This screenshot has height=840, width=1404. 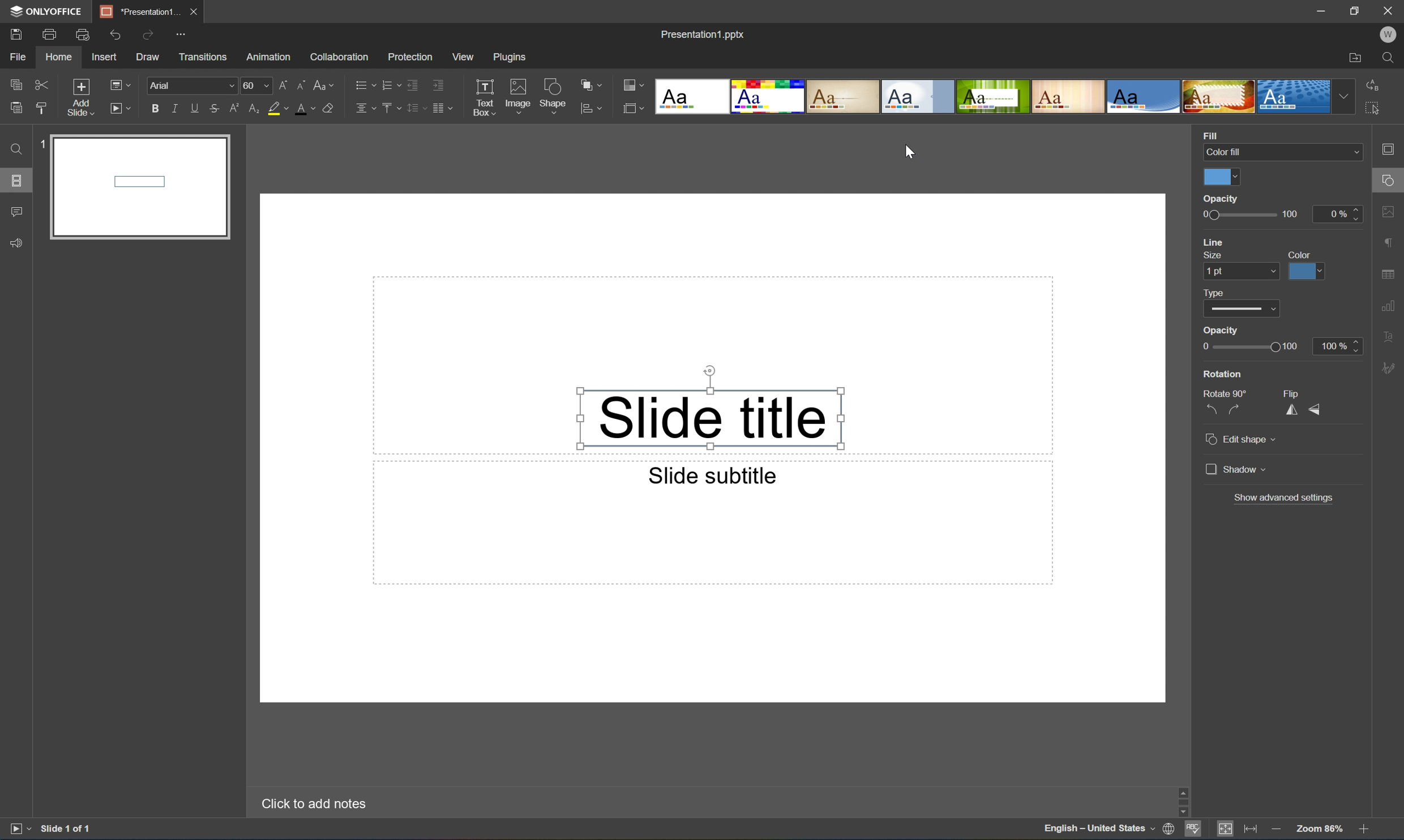 What do you see at coordinates (1390, 307) in the screenshot?
I see `chart settings` at bounding box center [1390, 307].